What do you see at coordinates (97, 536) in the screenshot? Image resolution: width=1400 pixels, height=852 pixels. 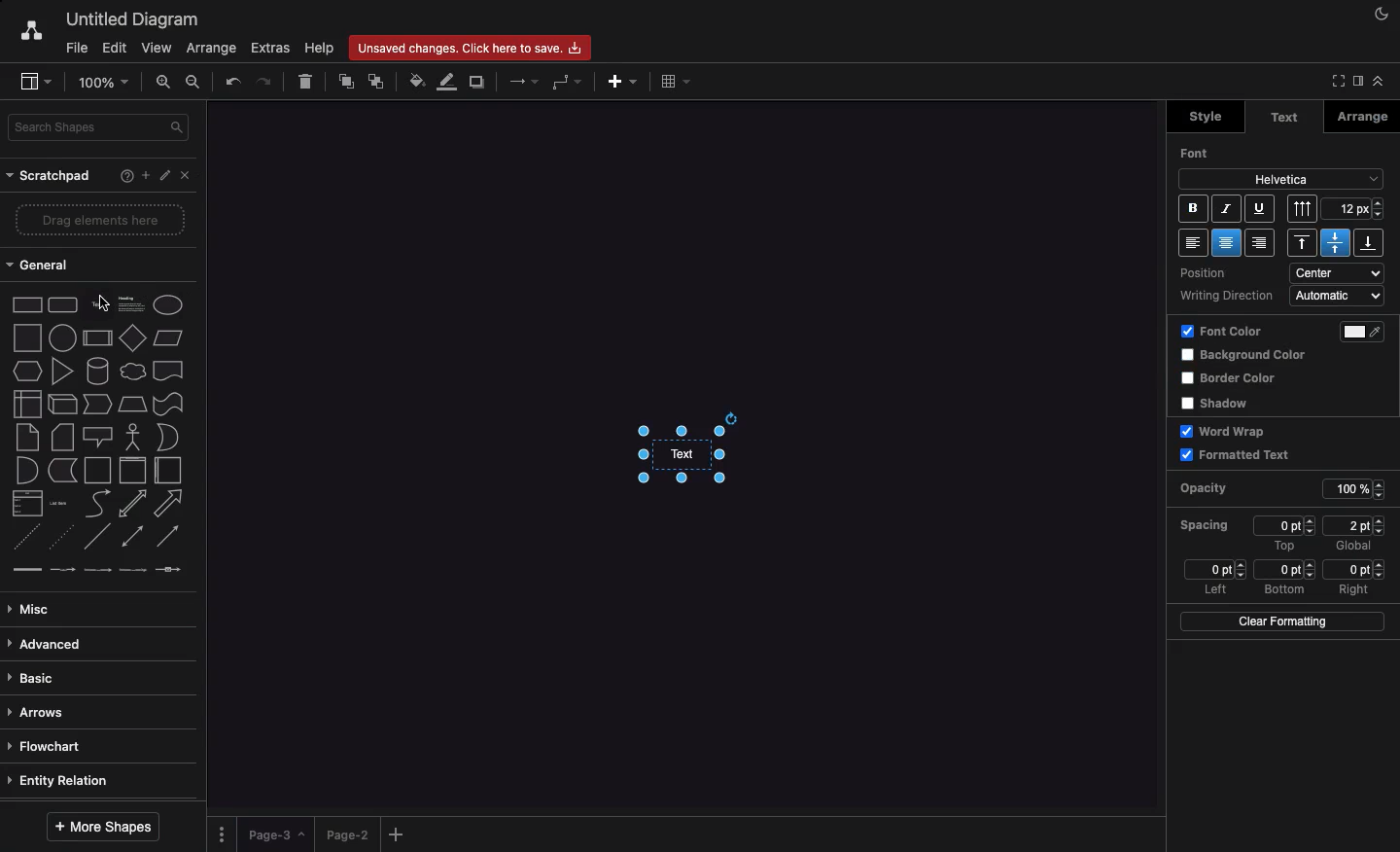 I see `Line` at bounding box center [97, 536].